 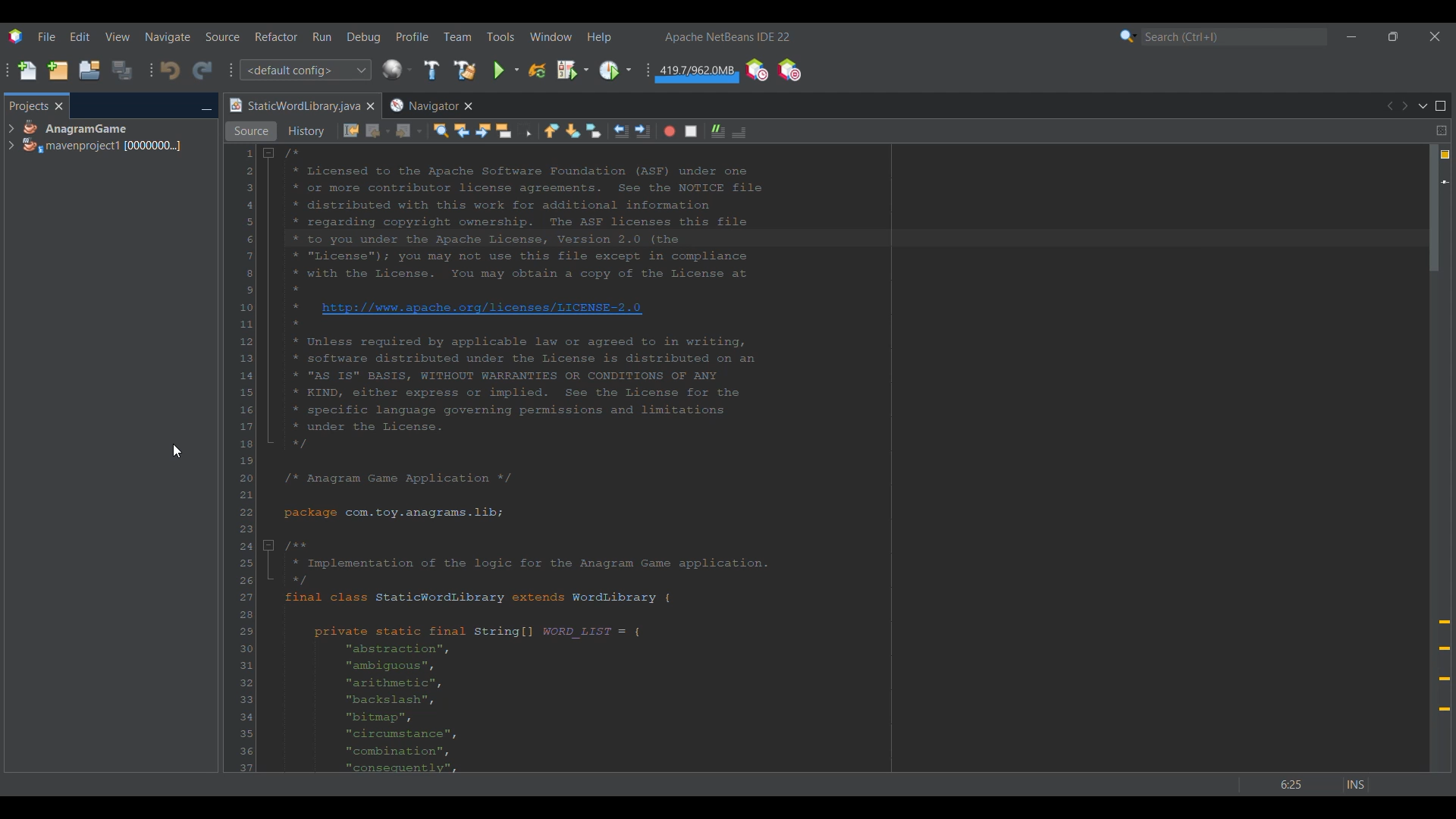 What do you see at coordinates (670, 131) in the screenshot?
I see `Start macro recording` at bounding box center [670, 131].